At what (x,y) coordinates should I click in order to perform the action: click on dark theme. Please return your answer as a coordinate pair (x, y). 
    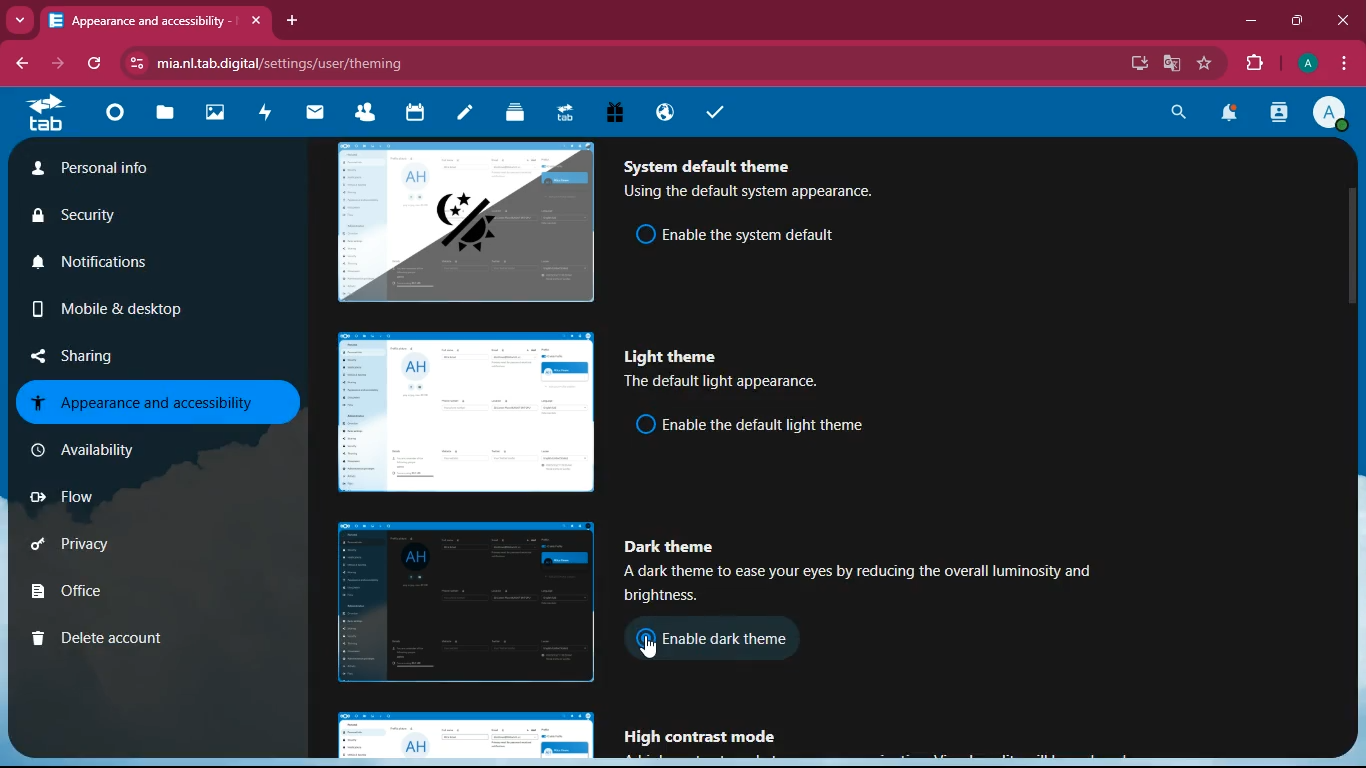
    Looking at the image, I should click on (680, 547).